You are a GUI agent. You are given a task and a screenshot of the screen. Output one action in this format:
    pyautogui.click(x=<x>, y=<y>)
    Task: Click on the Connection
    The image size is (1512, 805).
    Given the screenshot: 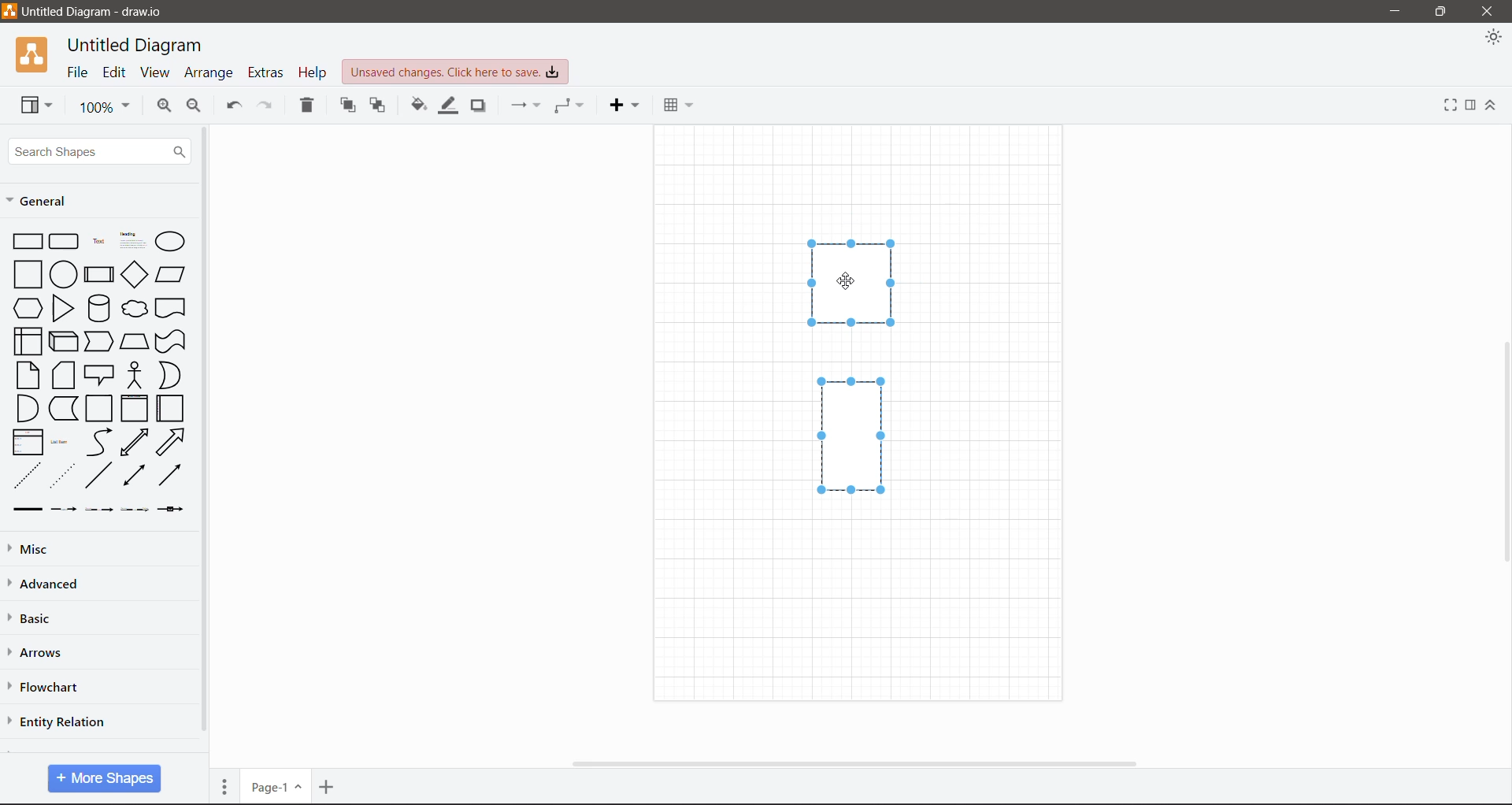 What is the action you would take?
    pyautogui.click(x=527, y=106)
    